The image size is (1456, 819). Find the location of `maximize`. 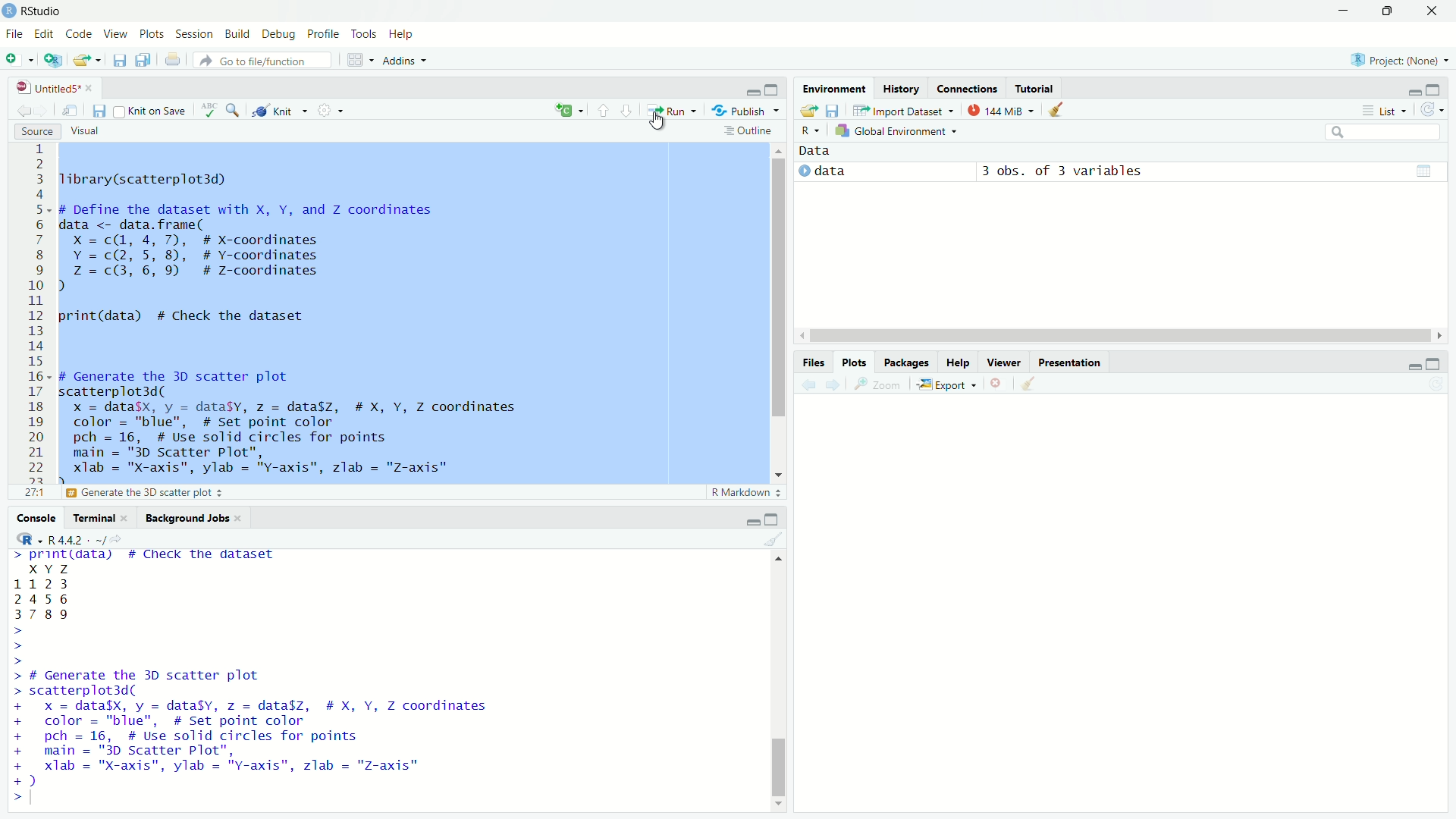

maximize is located at coordinates (1388, 11).